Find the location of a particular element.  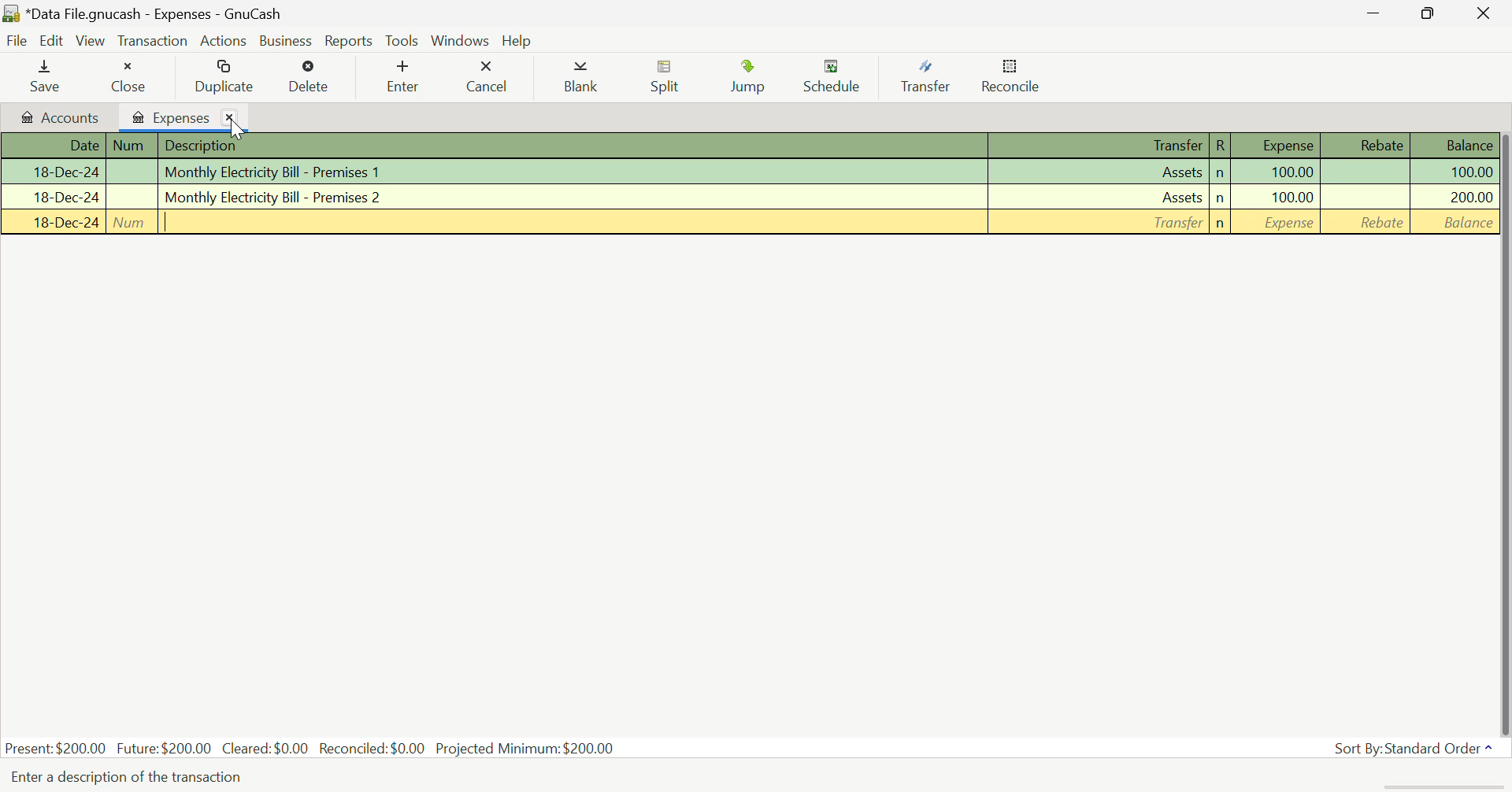

Monthly Electricity Bill - Premises 2 is located at coordinates (747, 196).